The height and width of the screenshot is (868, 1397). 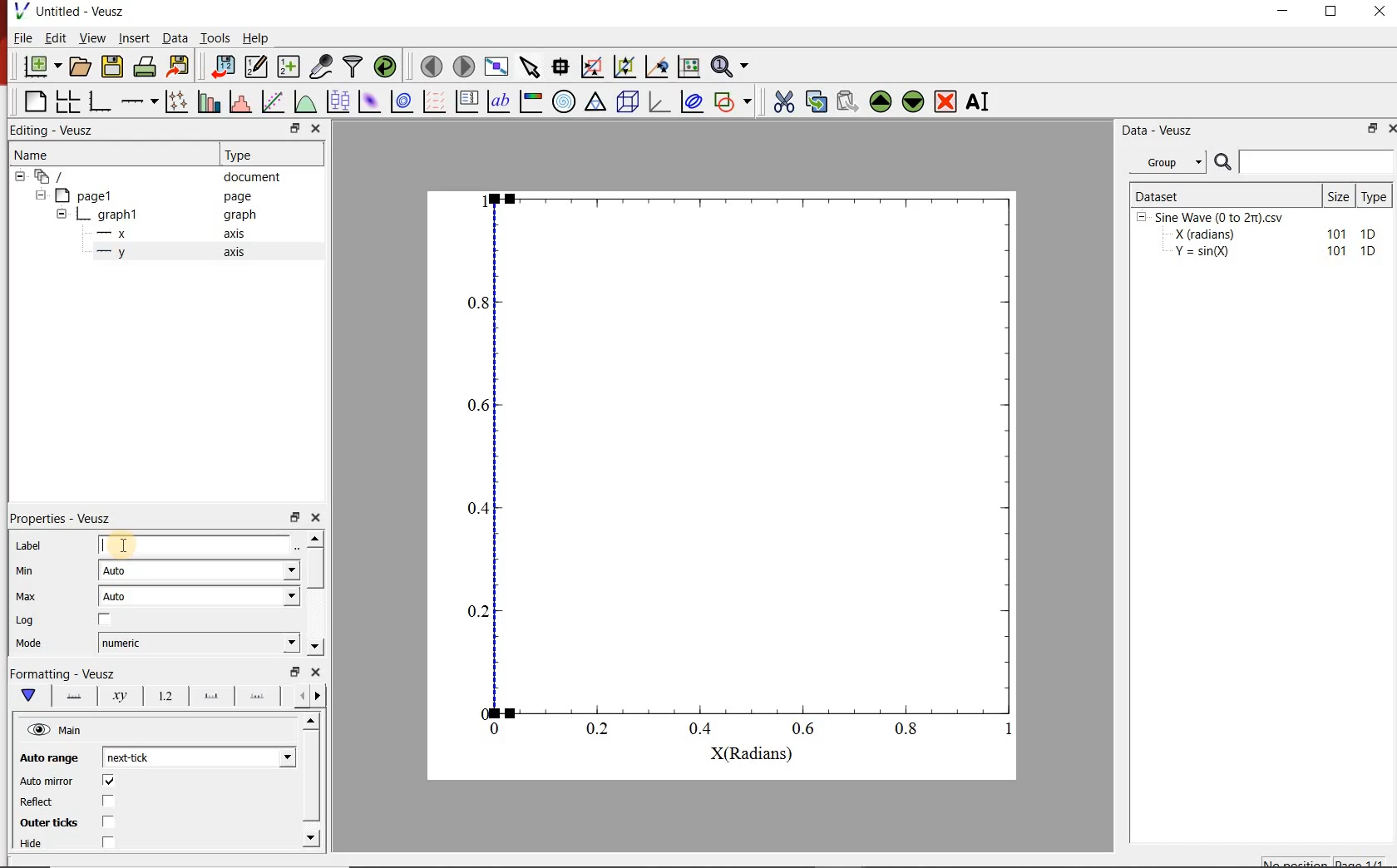 I want to click on @ main, so click(x=54, y=731).